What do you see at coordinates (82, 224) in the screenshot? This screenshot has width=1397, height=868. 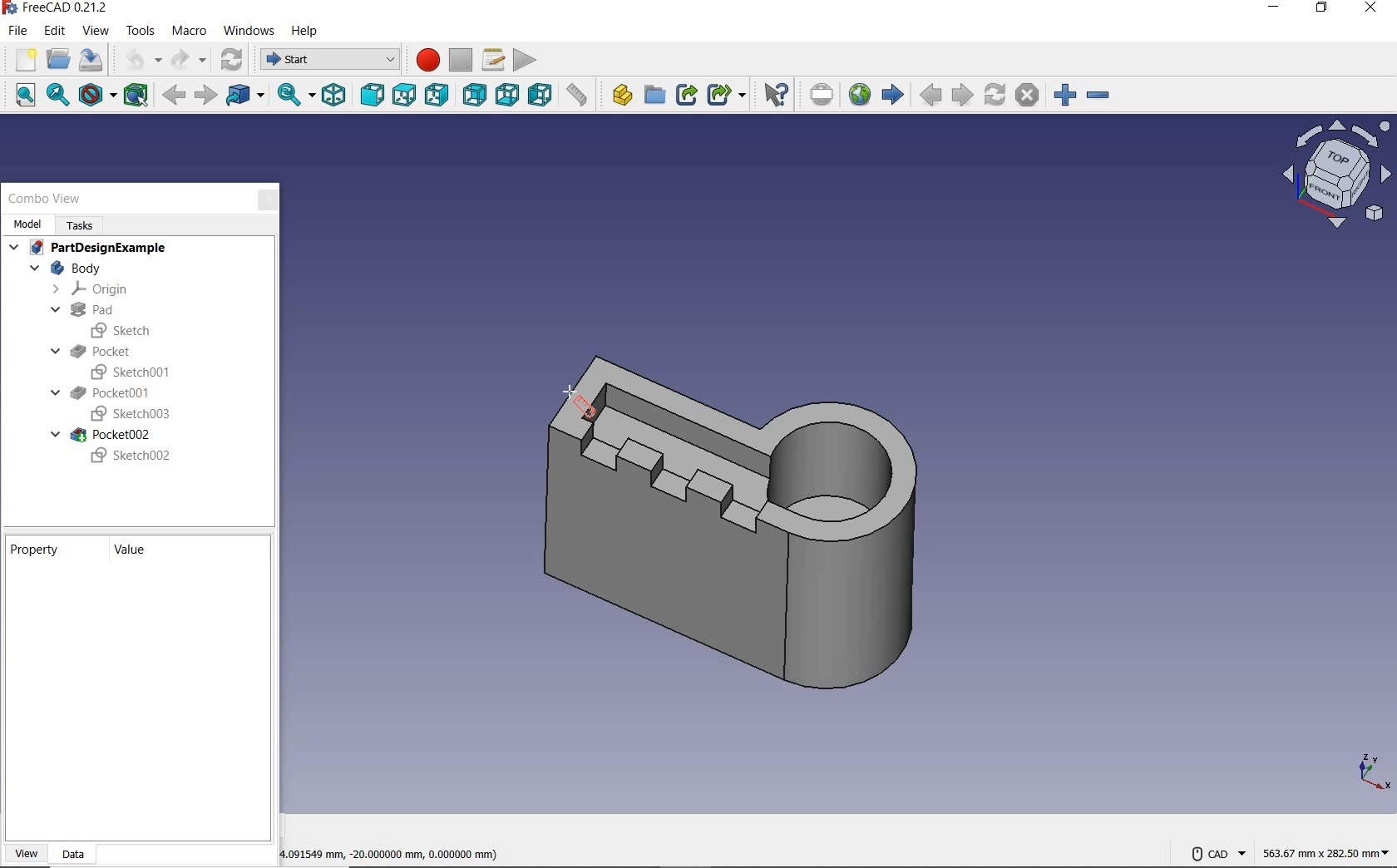 I see `TASKS` at bounding box center [82, 224].